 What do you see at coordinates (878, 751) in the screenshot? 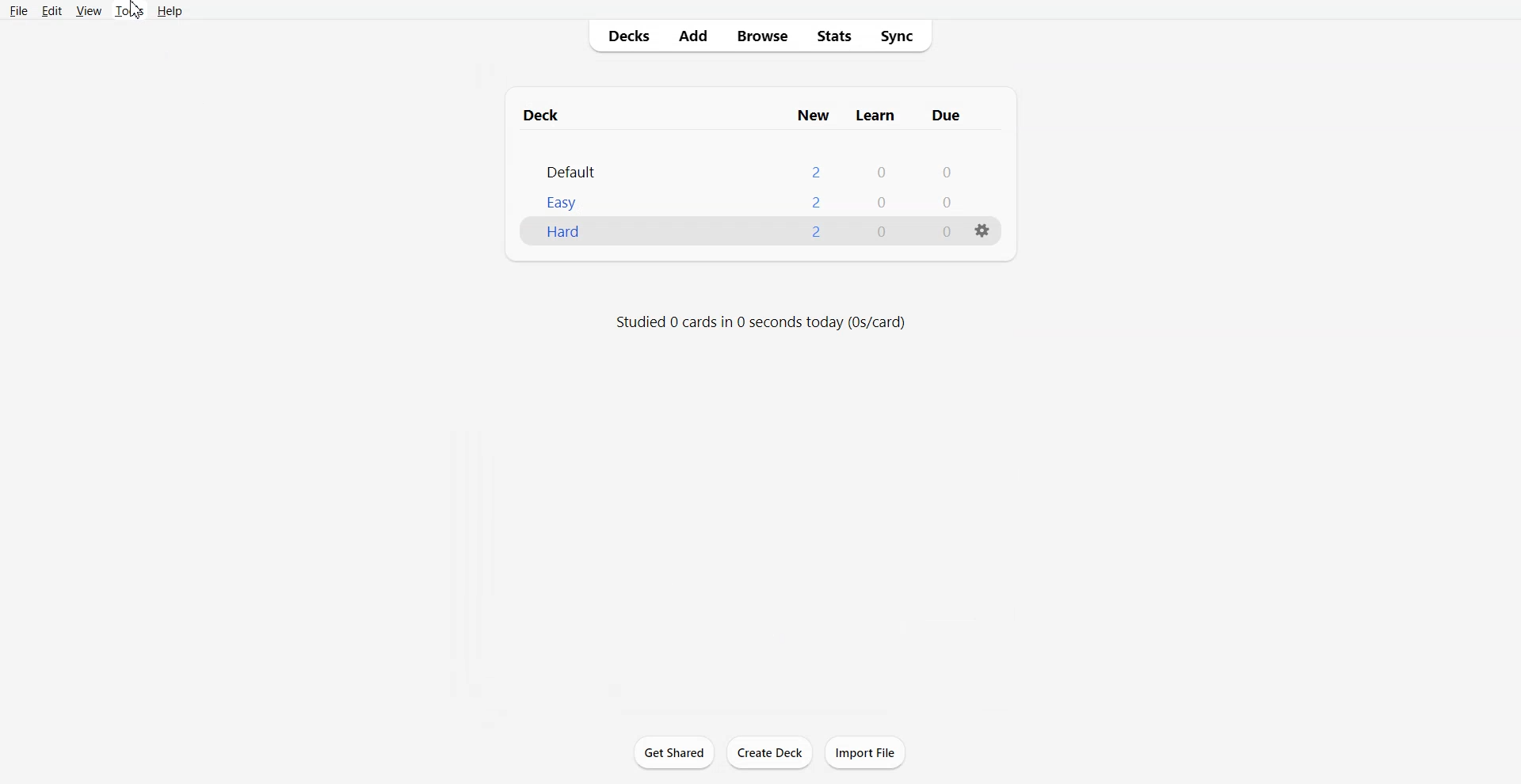
I see `import file` at bounding box center [878, 751].